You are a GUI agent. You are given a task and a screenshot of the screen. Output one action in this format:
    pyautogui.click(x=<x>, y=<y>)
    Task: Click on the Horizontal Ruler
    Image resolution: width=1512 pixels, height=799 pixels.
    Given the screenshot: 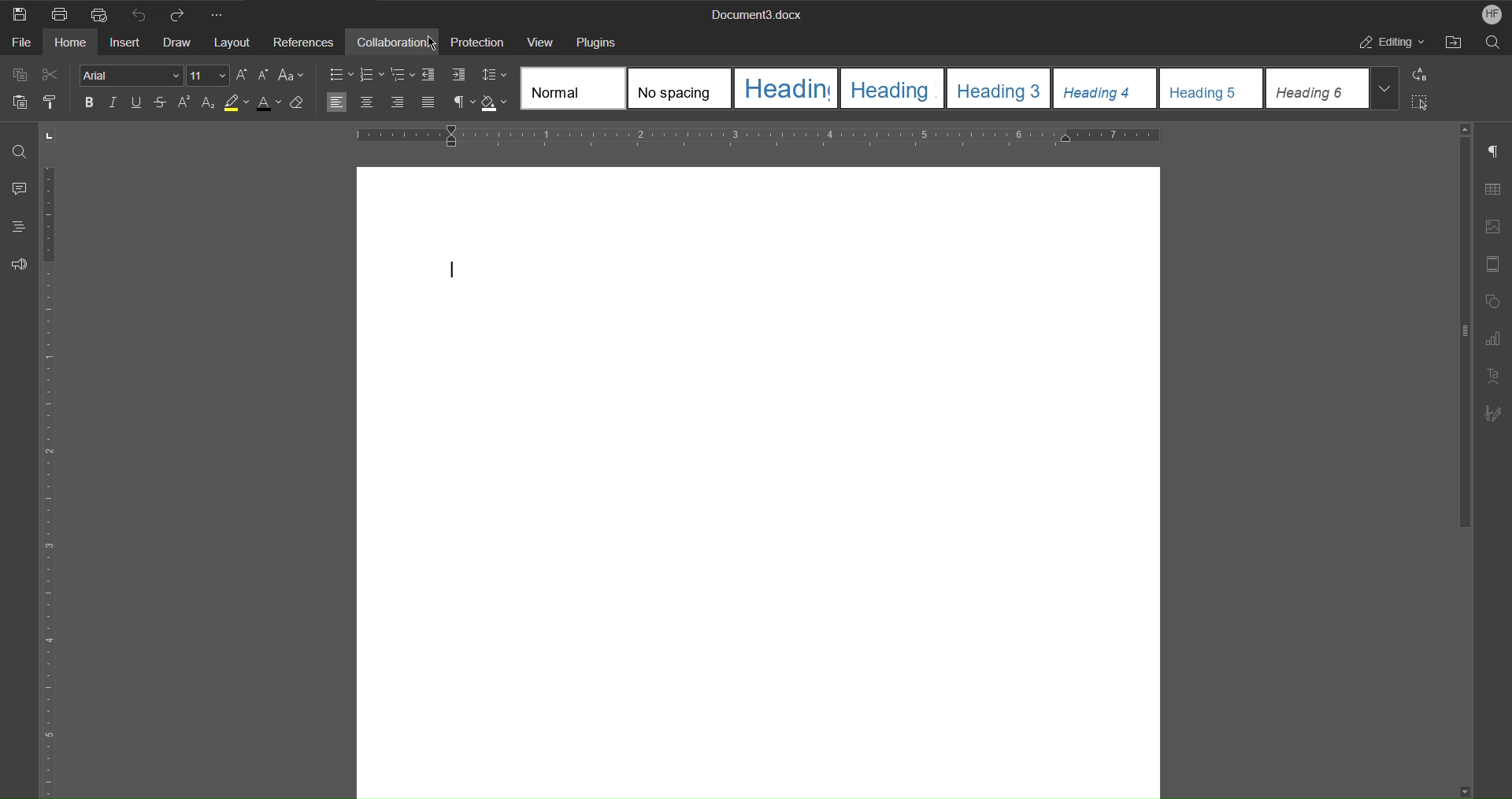 What is the action you would take?
    pyautogui.click(x=786, y=135)
    